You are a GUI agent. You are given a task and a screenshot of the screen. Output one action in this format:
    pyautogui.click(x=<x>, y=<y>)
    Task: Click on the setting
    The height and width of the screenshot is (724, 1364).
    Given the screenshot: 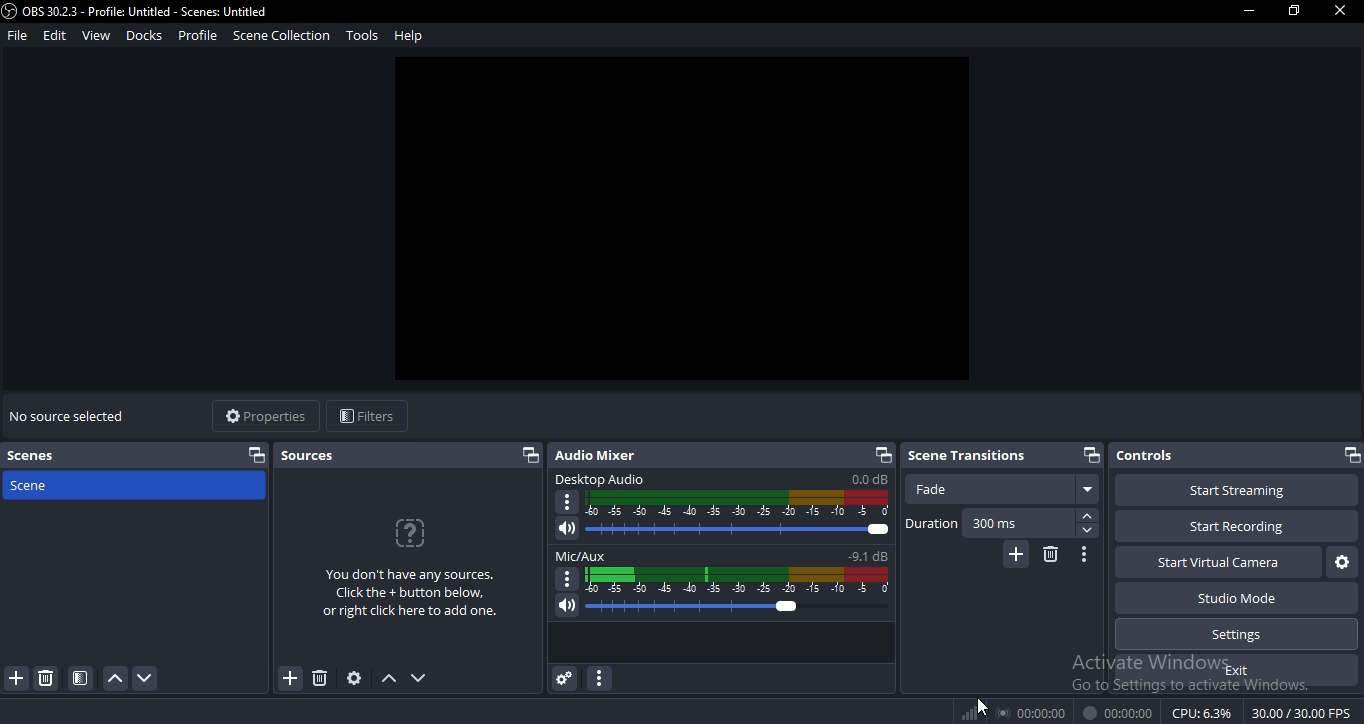 What is the action you would take?
    pyautogui.click(x=355, y=678)
    